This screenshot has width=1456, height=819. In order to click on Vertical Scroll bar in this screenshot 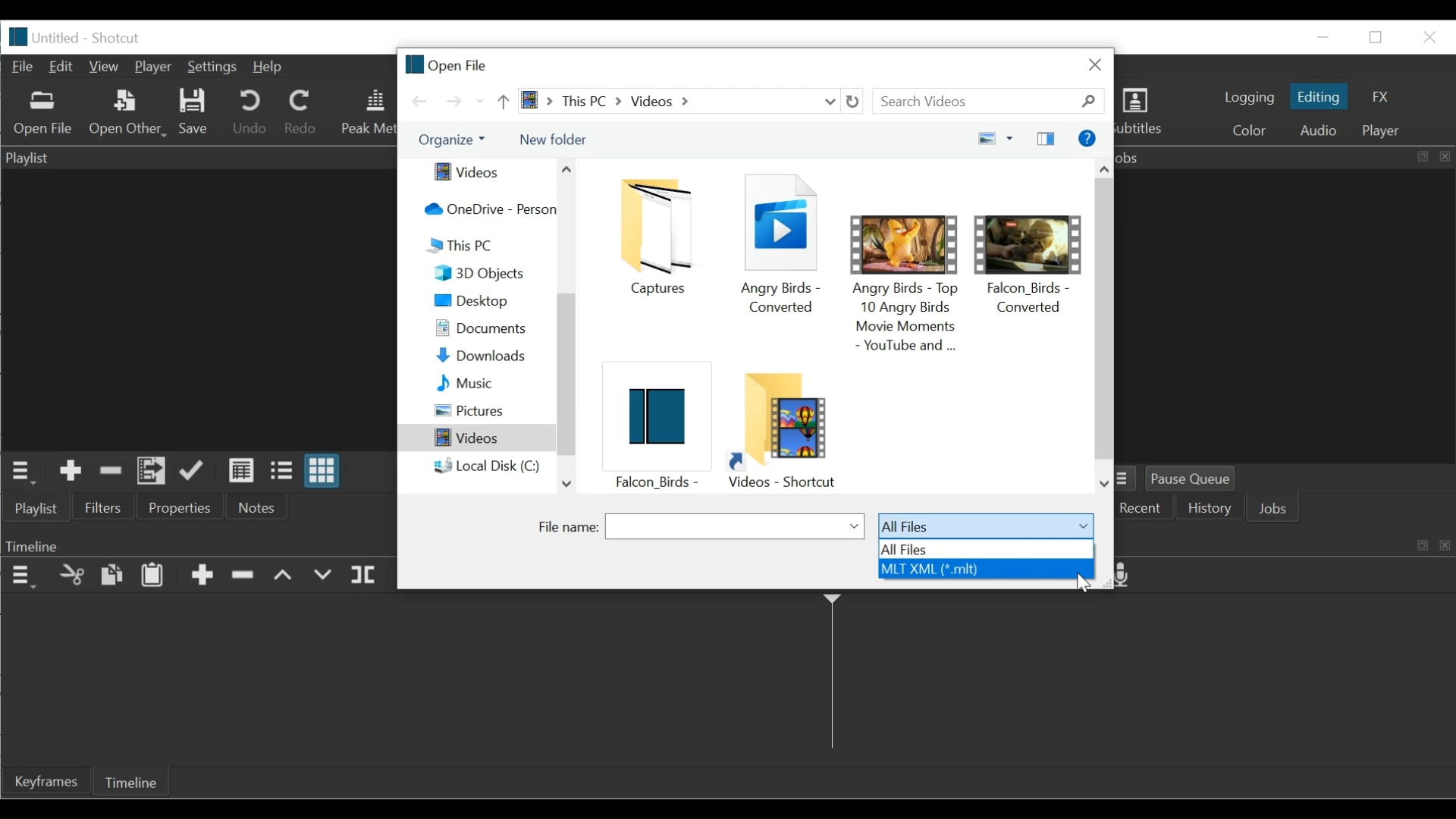, I will do `click(1104, 316)`.